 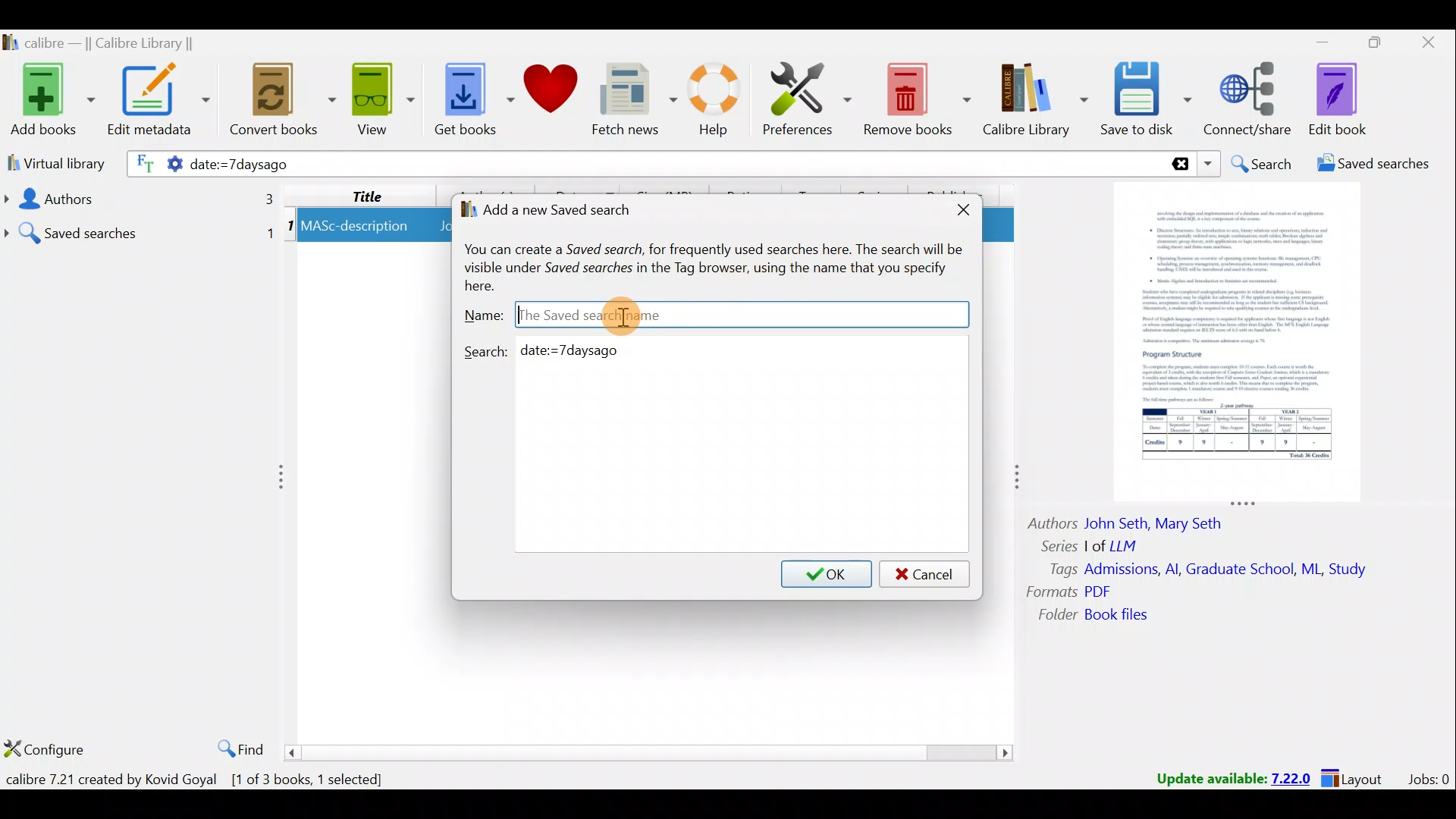 What do you see at coordinates (1251, 100) in the screenshot?
I see `Connect/share` at bounding box center [1251, 100].